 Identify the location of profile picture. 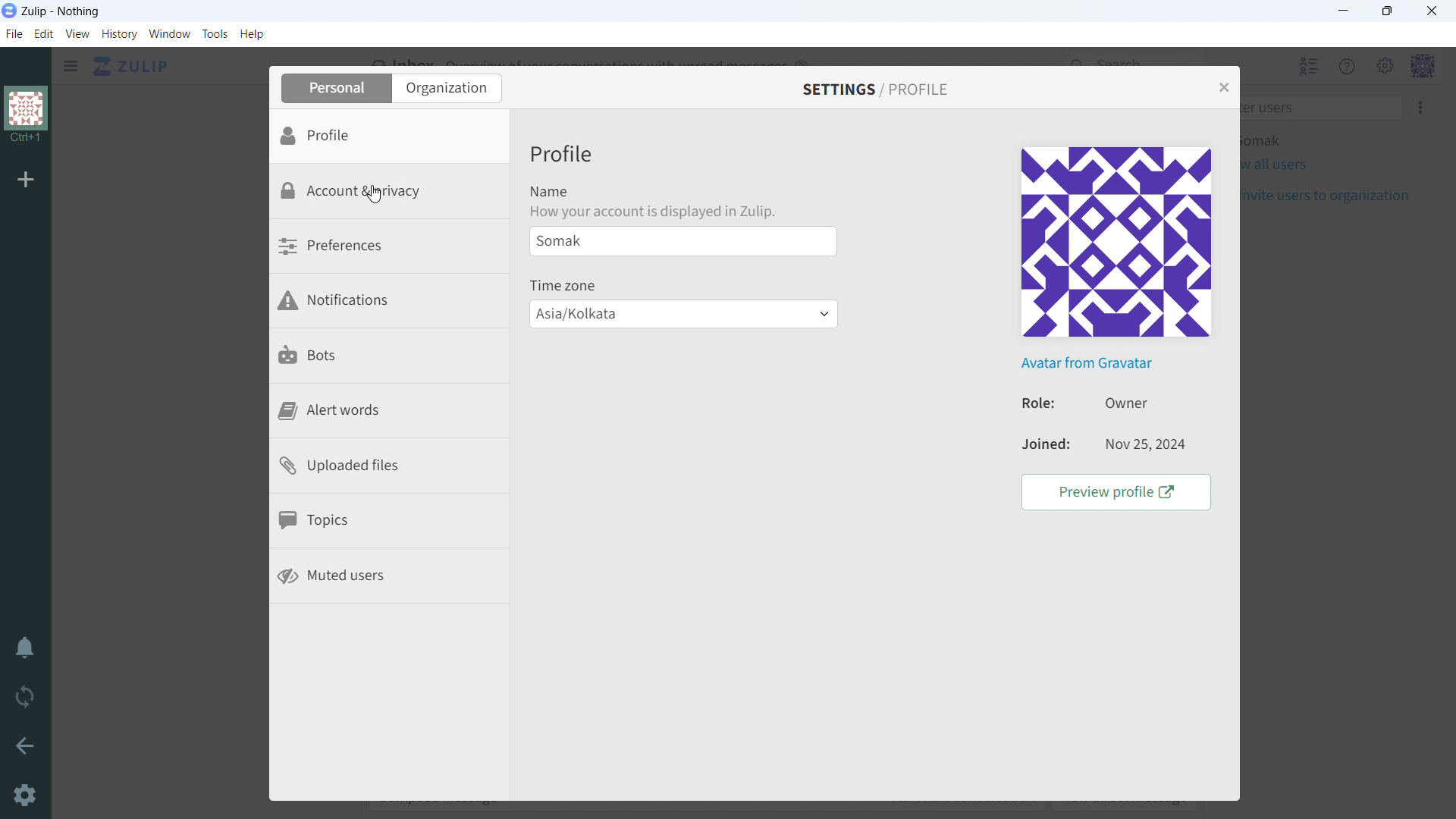
(1119, 242).